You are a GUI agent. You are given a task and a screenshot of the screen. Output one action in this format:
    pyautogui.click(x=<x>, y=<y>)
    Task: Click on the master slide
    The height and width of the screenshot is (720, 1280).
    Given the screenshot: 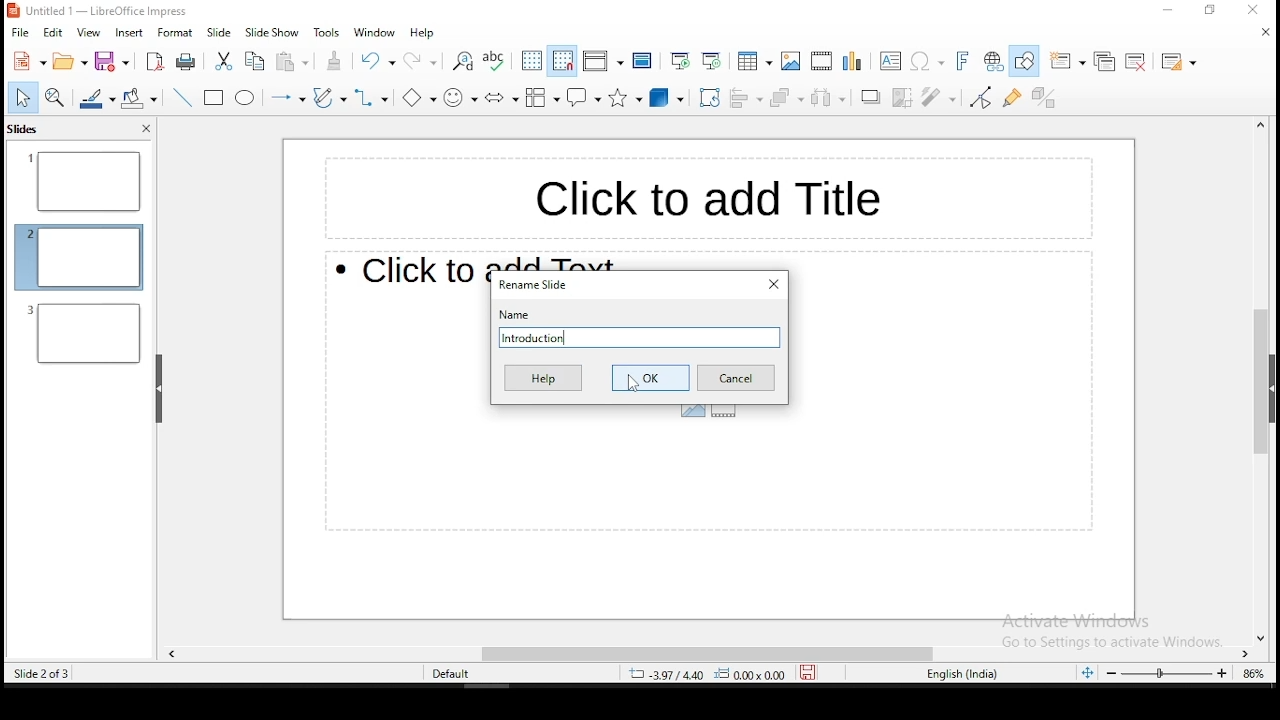 What is the action you would take?
    pyautogui.click(x=644, y=60)
    